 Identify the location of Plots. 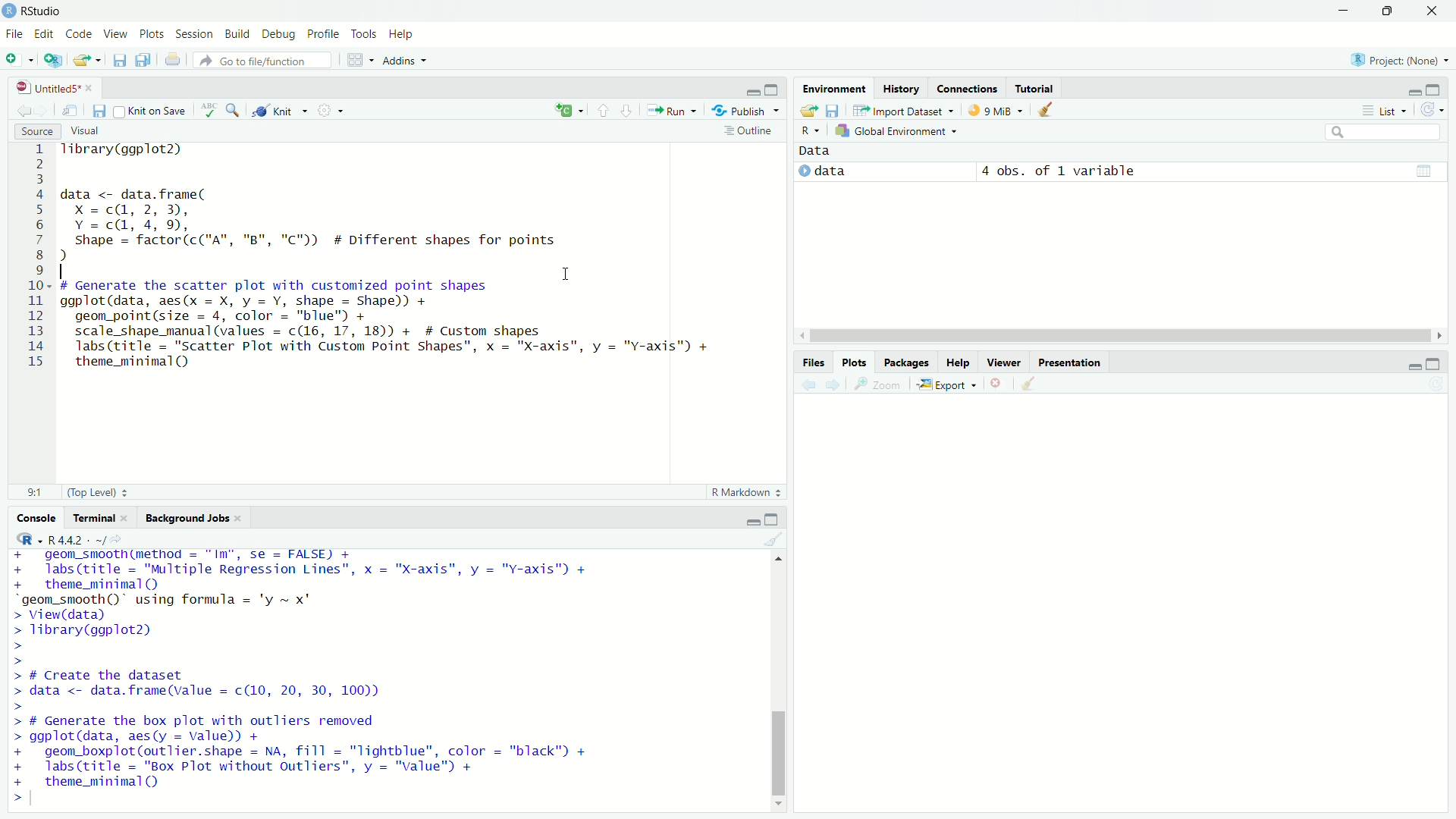
(853, 362).